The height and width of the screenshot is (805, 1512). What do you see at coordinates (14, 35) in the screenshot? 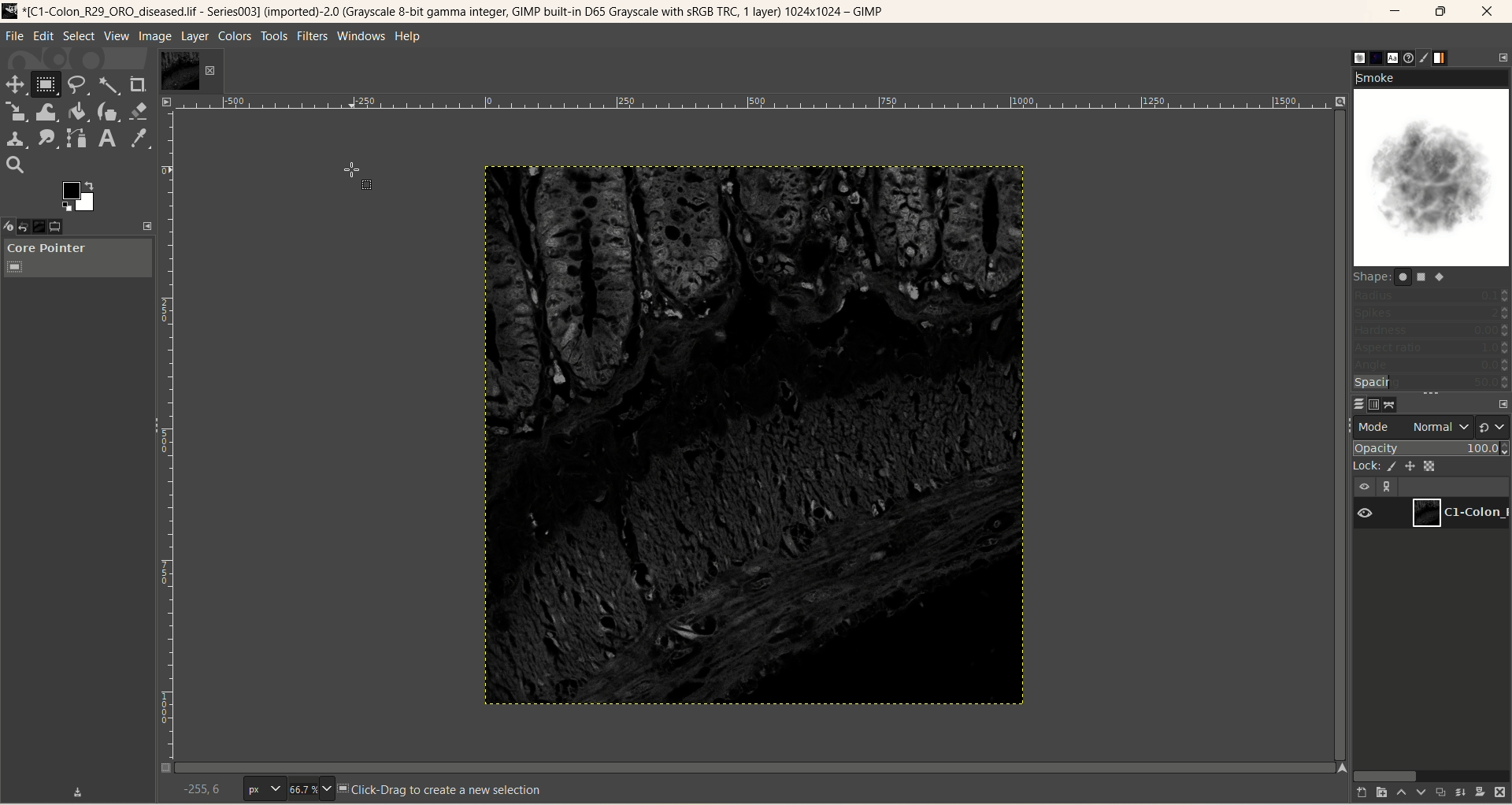
I see `file` at bounding box center [14, 35].